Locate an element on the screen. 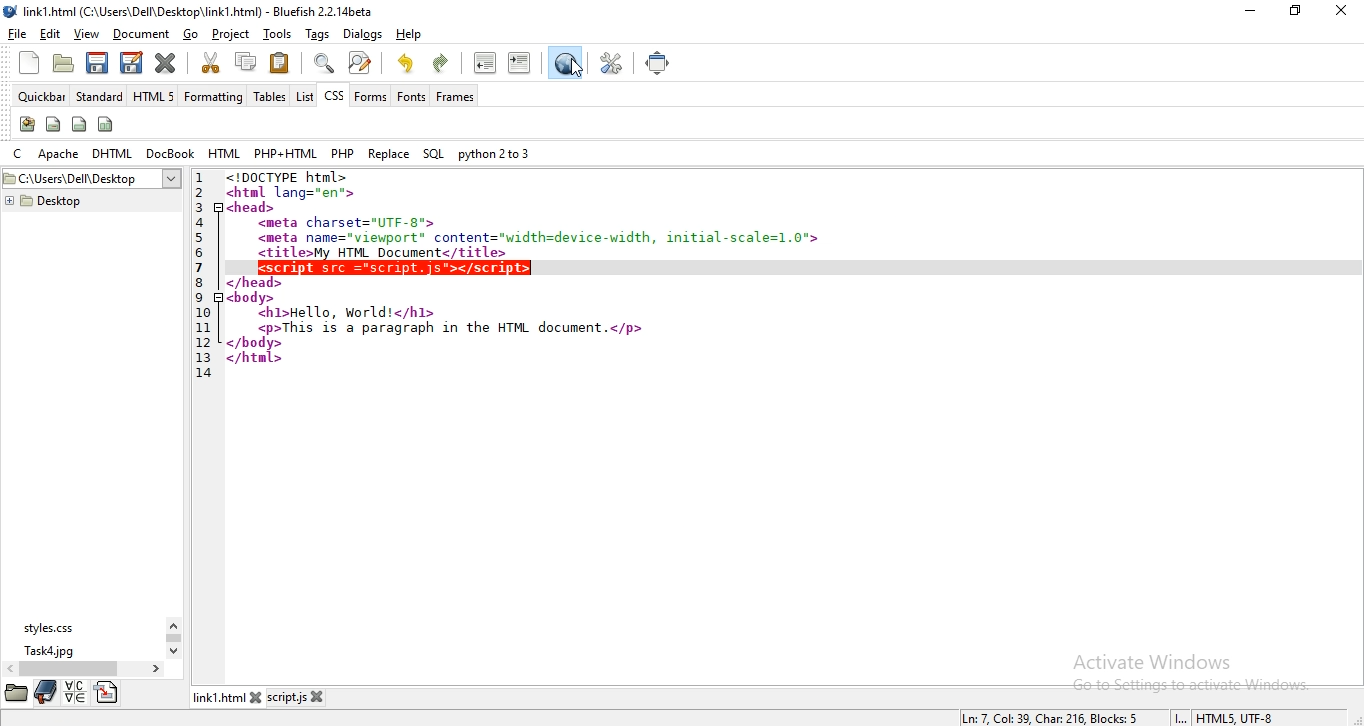  undo is located at coordinates (407, 63).